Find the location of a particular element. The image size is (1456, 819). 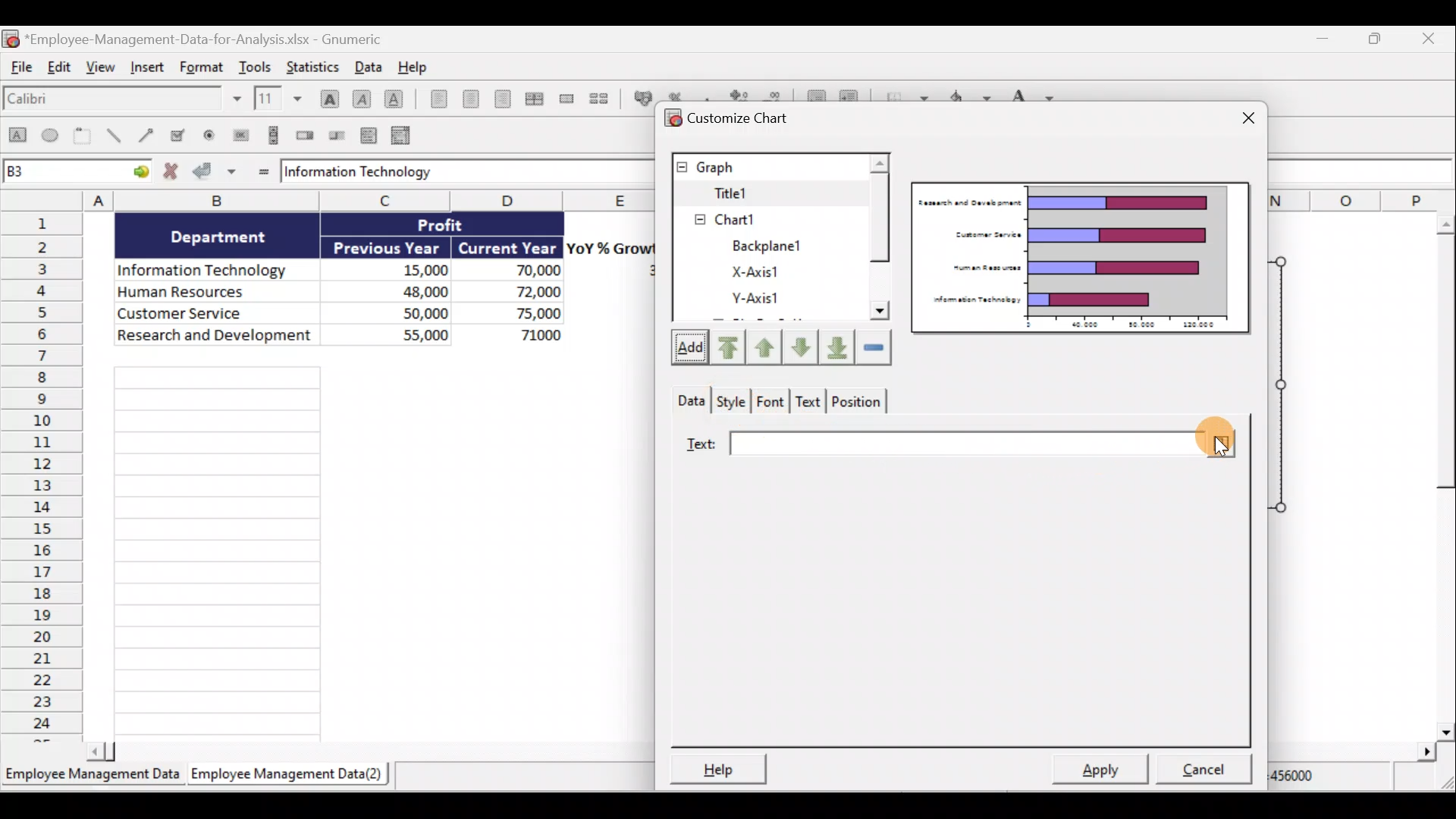

Customer Service is located at coordinates (220, 315).